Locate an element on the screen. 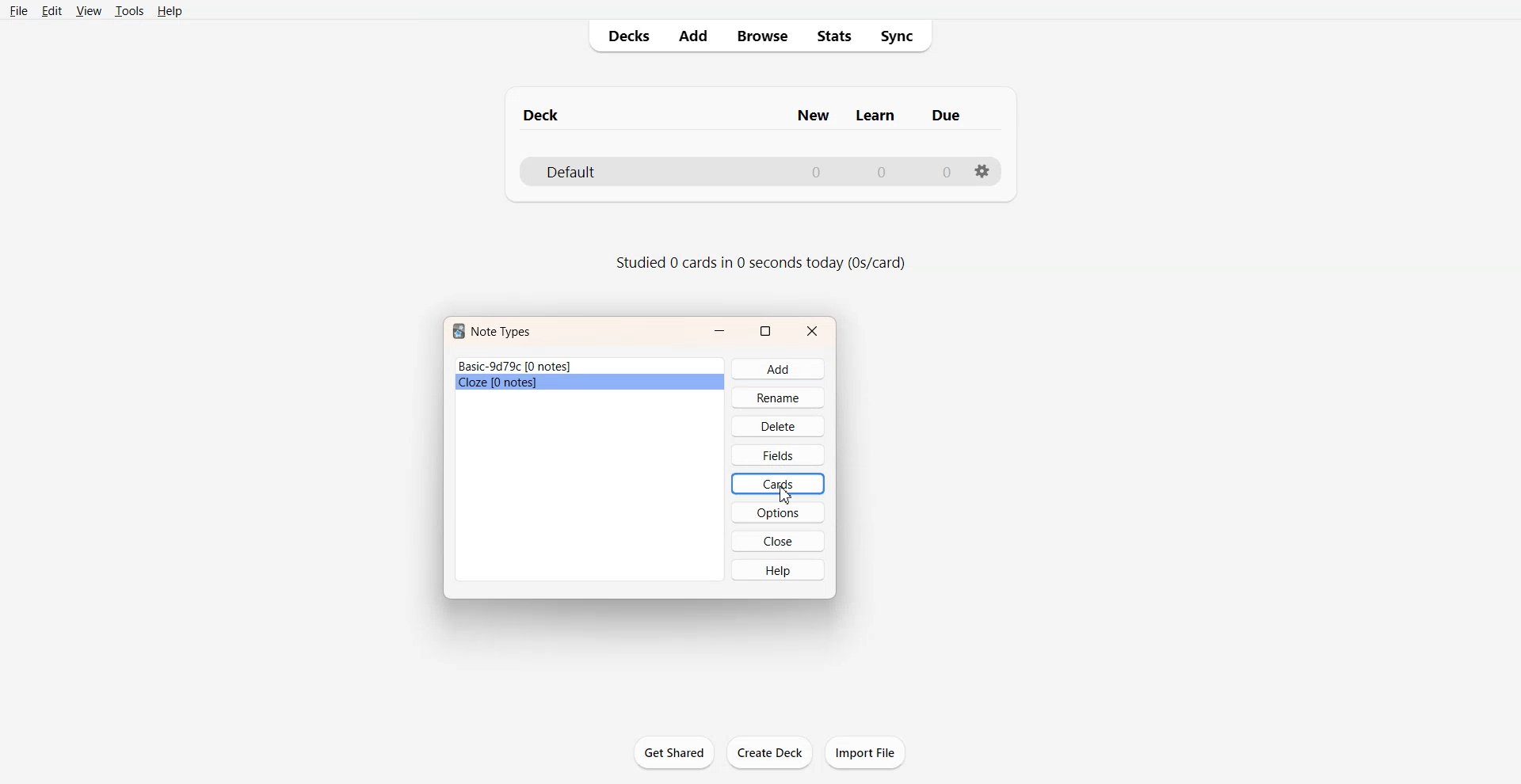 This screenshot has width=1521, height=784. File is located at coordinates (19, 10).